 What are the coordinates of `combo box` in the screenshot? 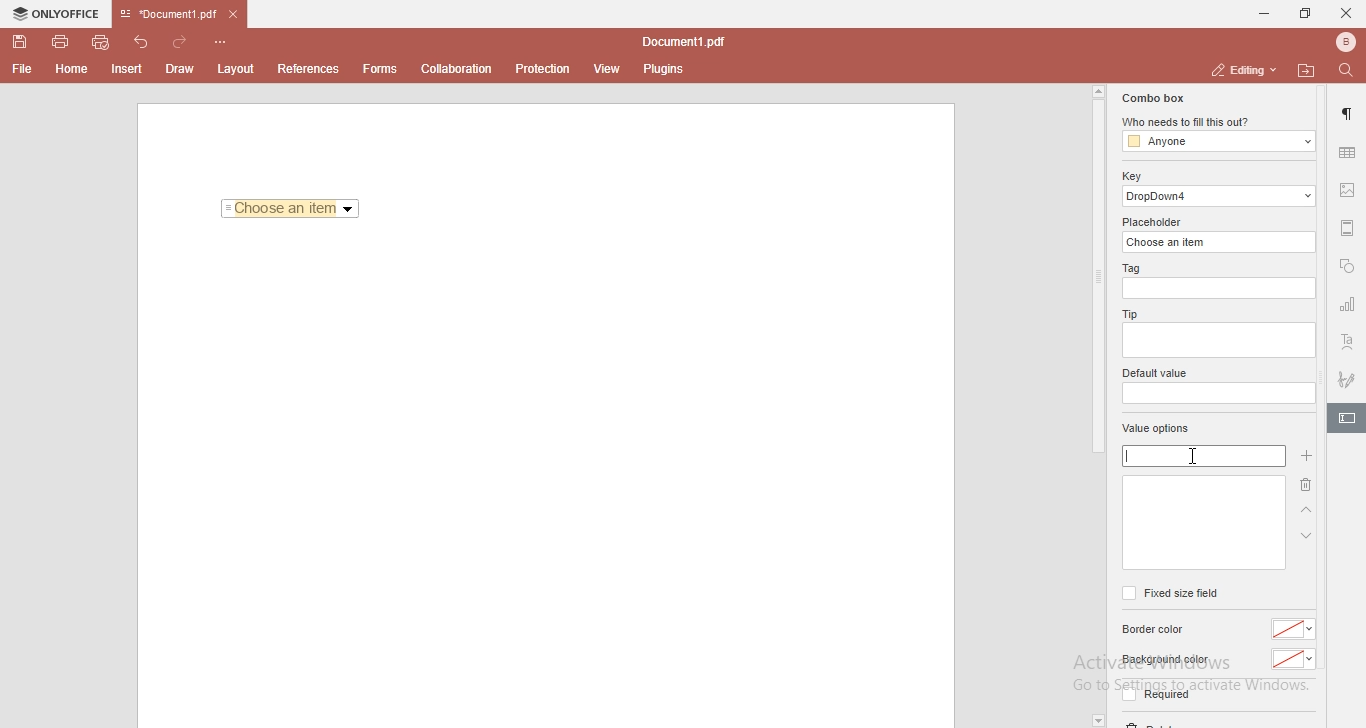 It's located at (1151, 98).